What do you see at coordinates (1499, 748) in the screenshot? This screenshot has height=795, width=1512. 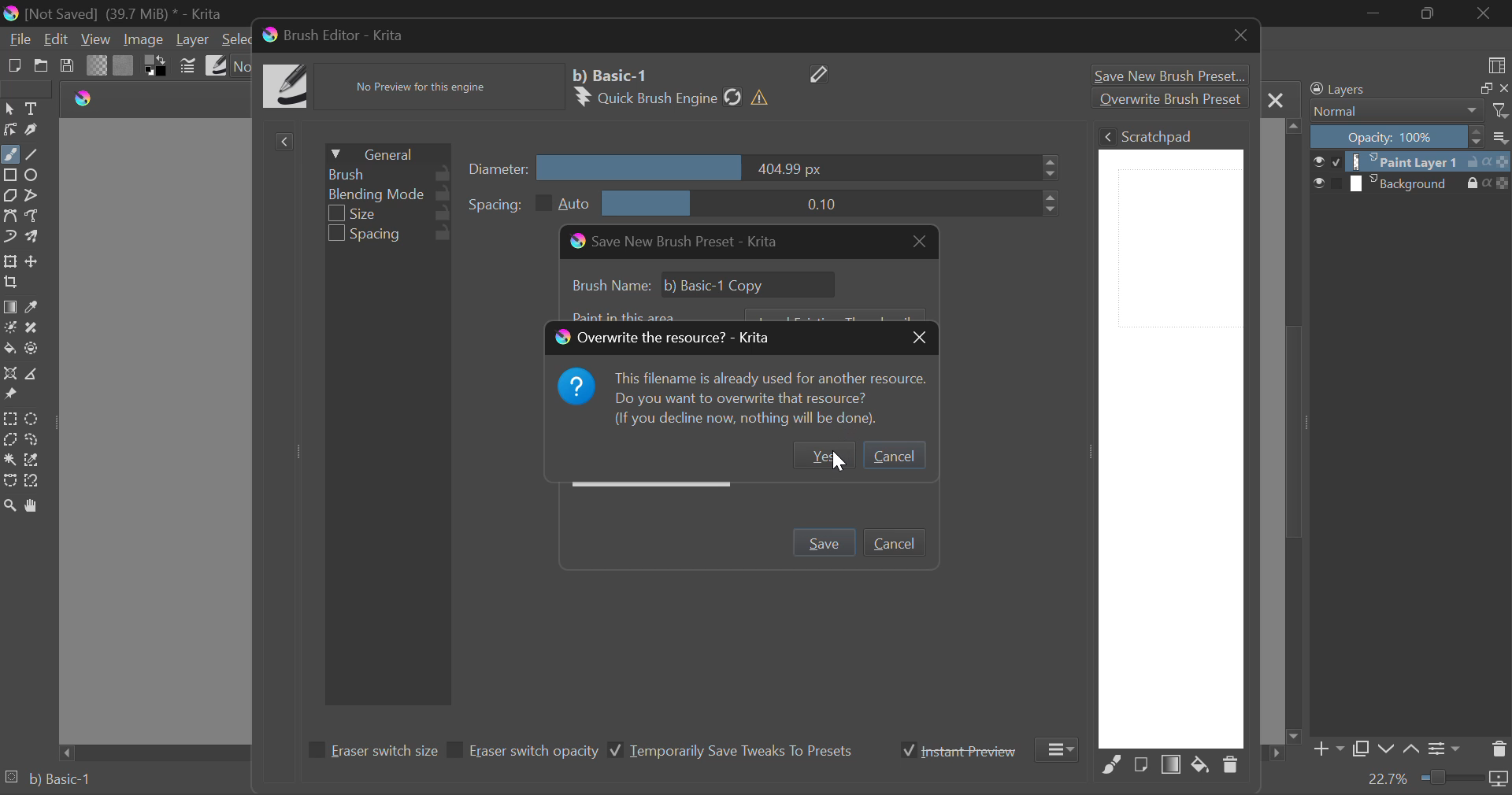 I see `Delete Layer` at bounding box center [1499, 748].